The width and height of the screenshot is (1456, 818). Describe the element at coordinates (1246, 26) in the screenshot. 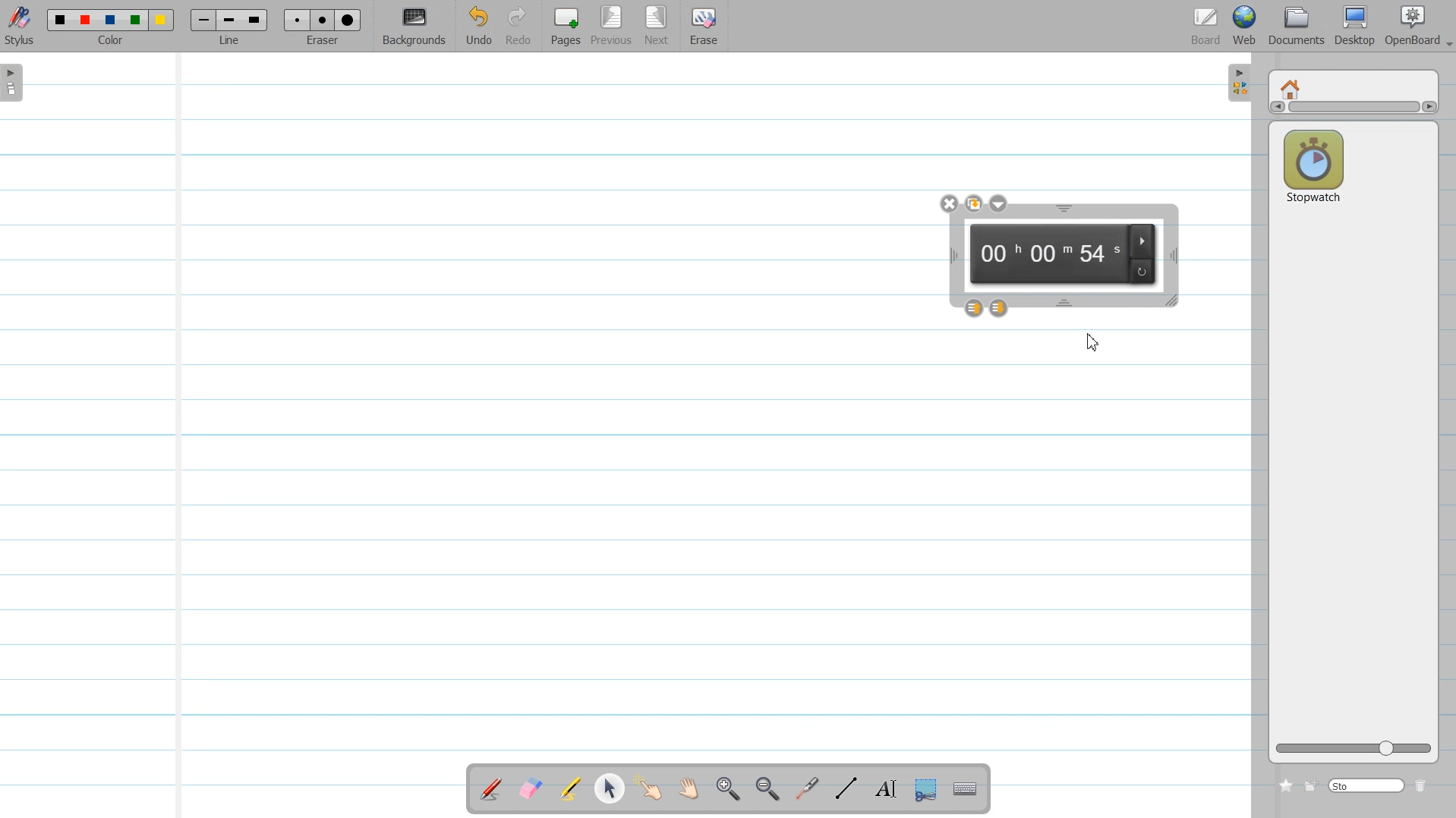

I see `Web` at that location.